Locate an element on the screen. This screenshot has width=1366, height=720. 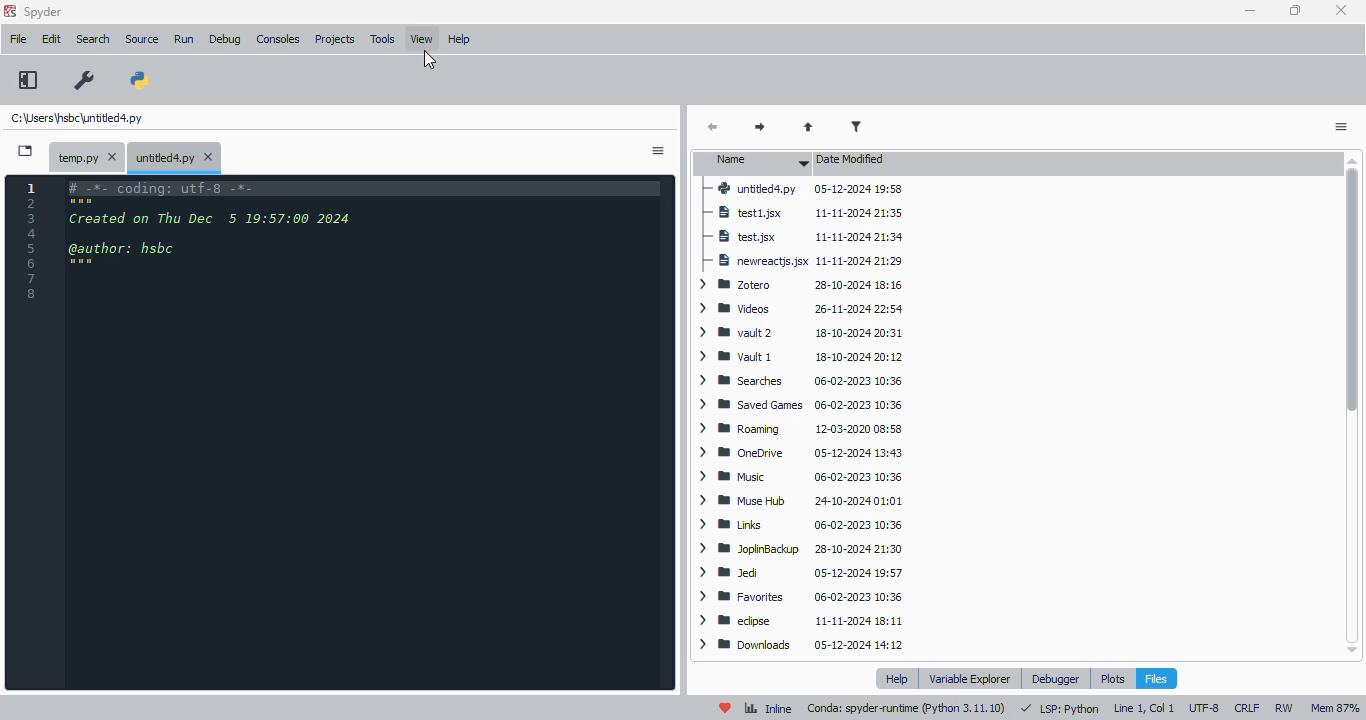
options is located at coordinates (657, 151).